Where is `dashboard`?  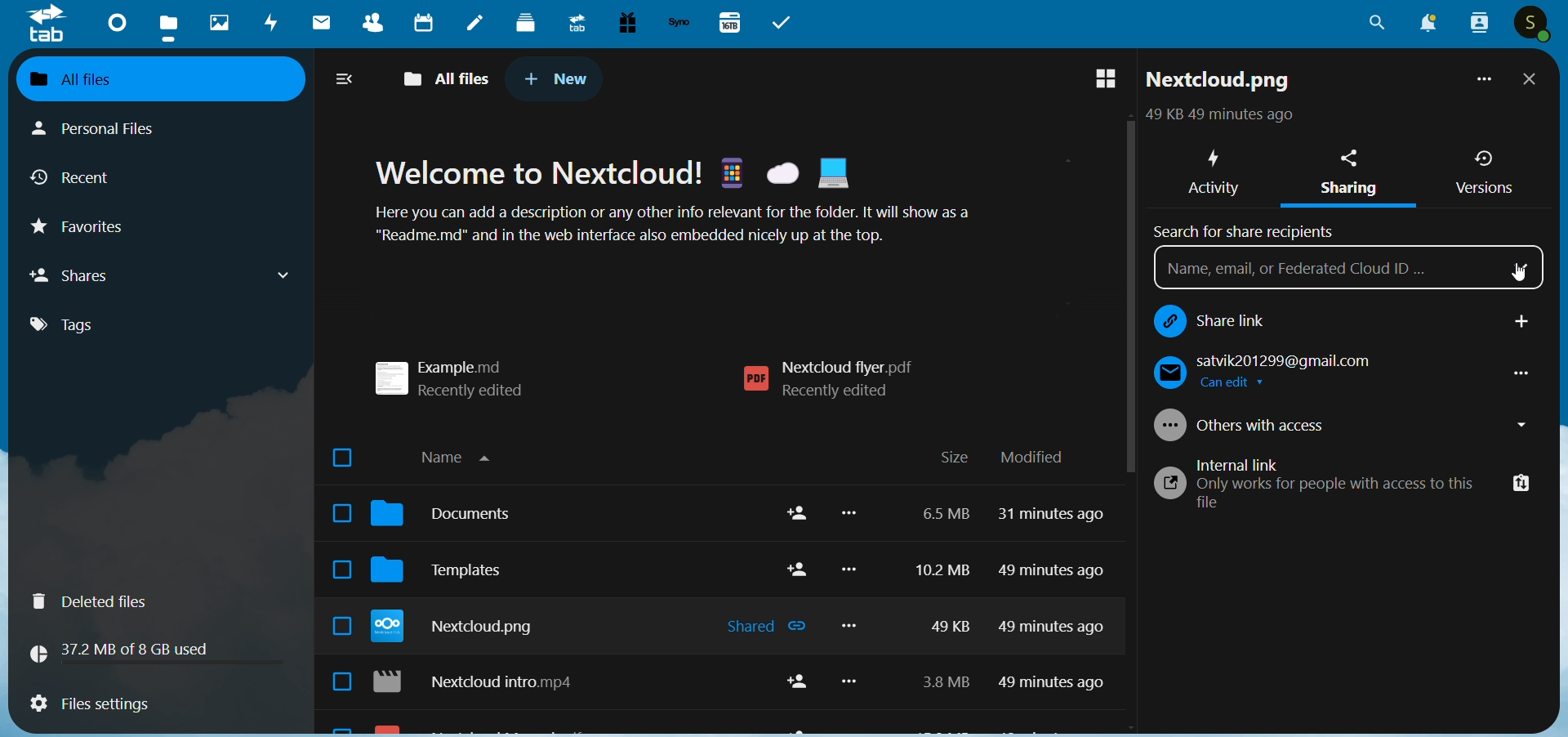
dashboard is located at coordinates (114, 21).